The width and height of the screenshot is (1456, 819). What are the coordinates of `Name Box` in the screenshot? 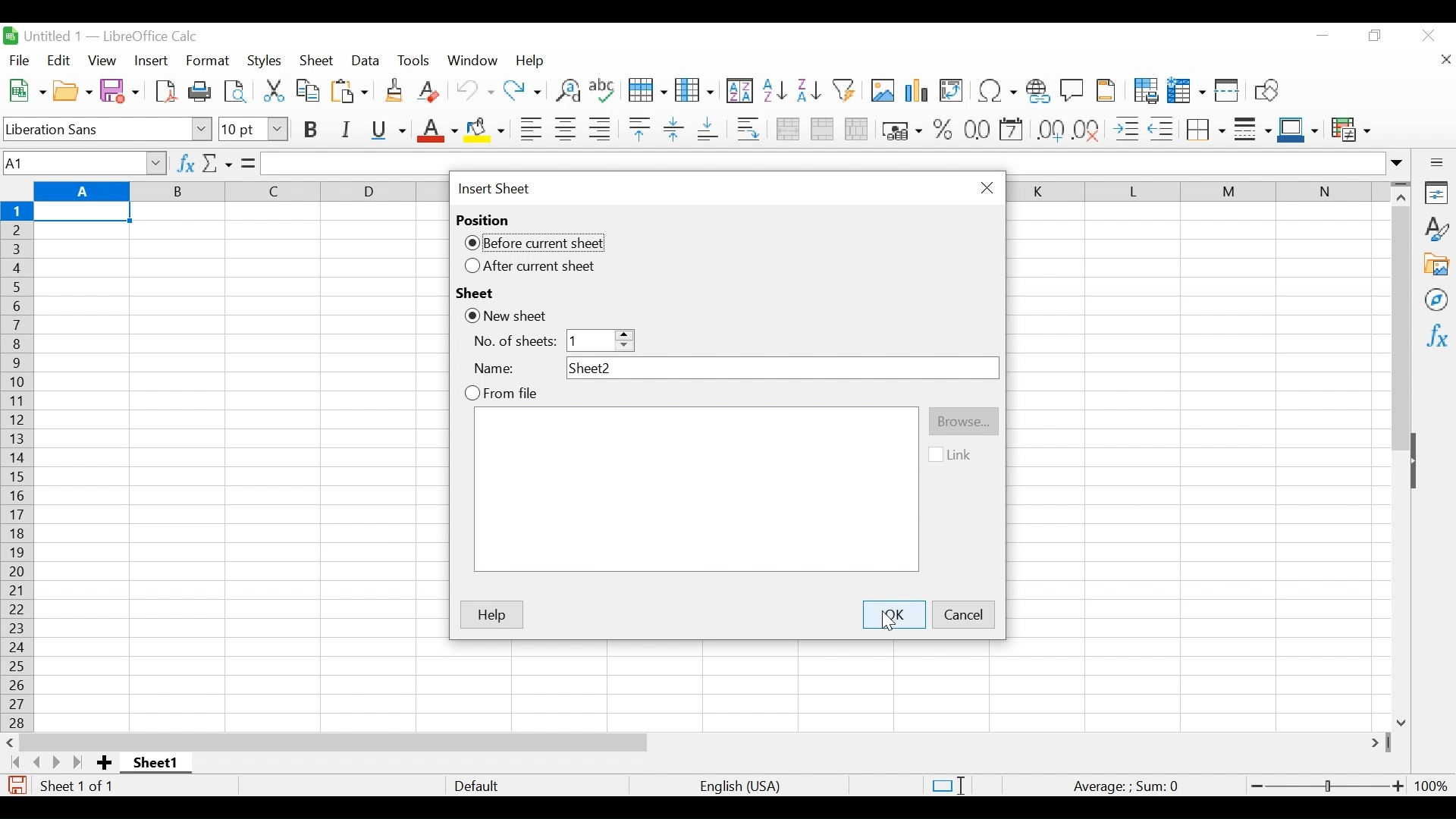 It's located at (83, 162).